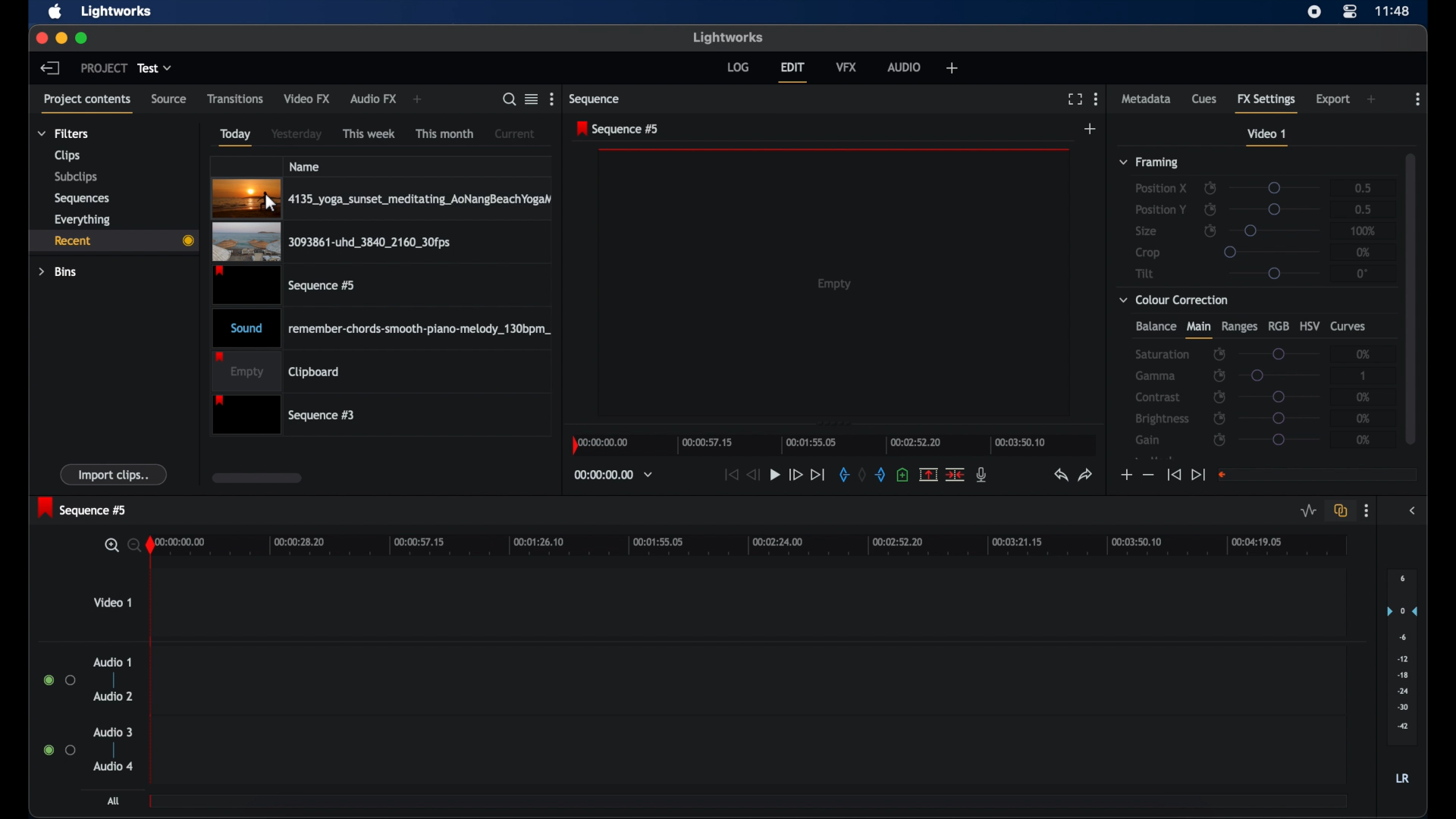  Describe the element at coordinates (1373, 99) in the screenshot. I see `add` at that location.